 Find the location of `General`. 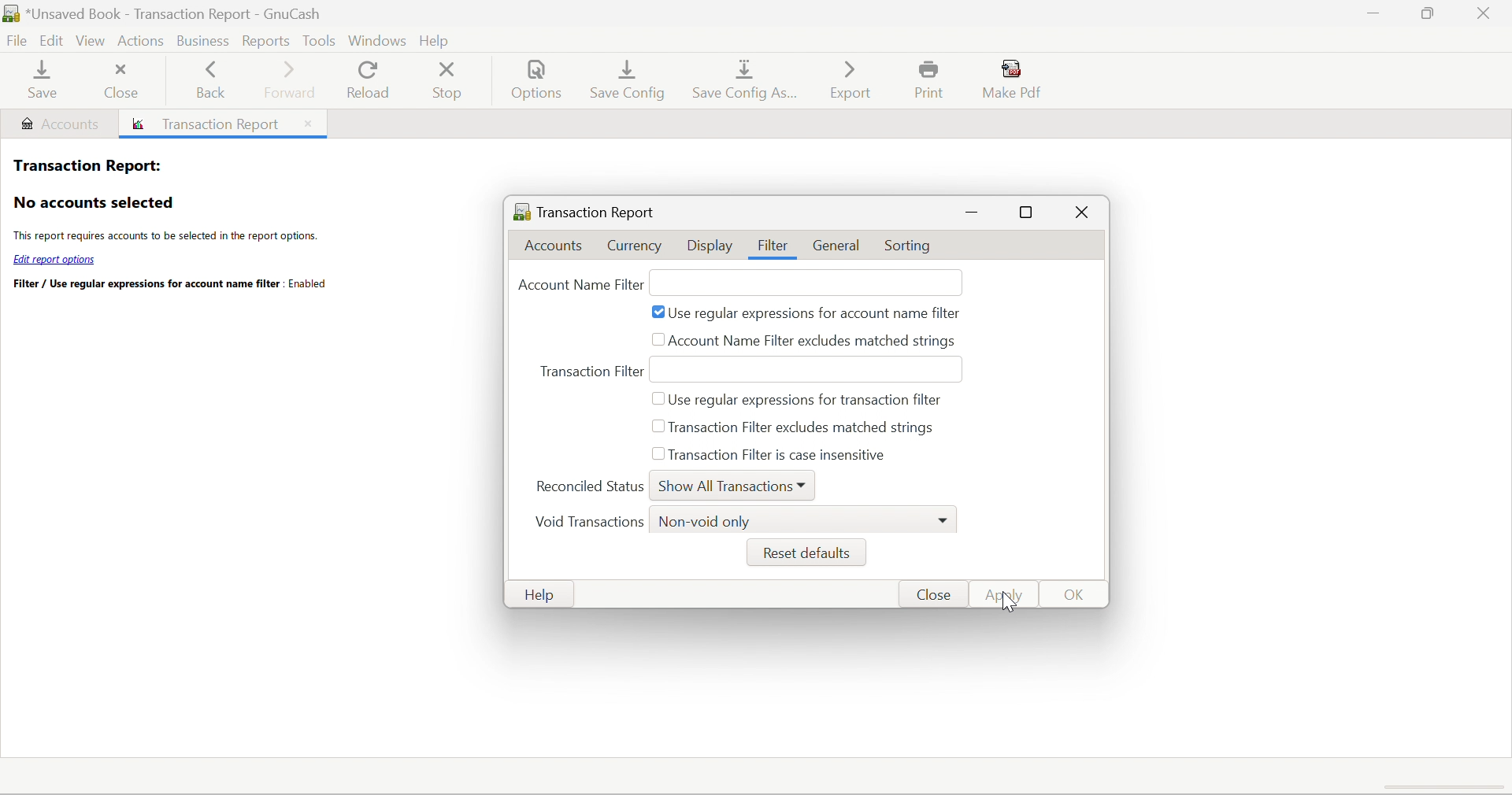

General is located at coordinates (839, 246).